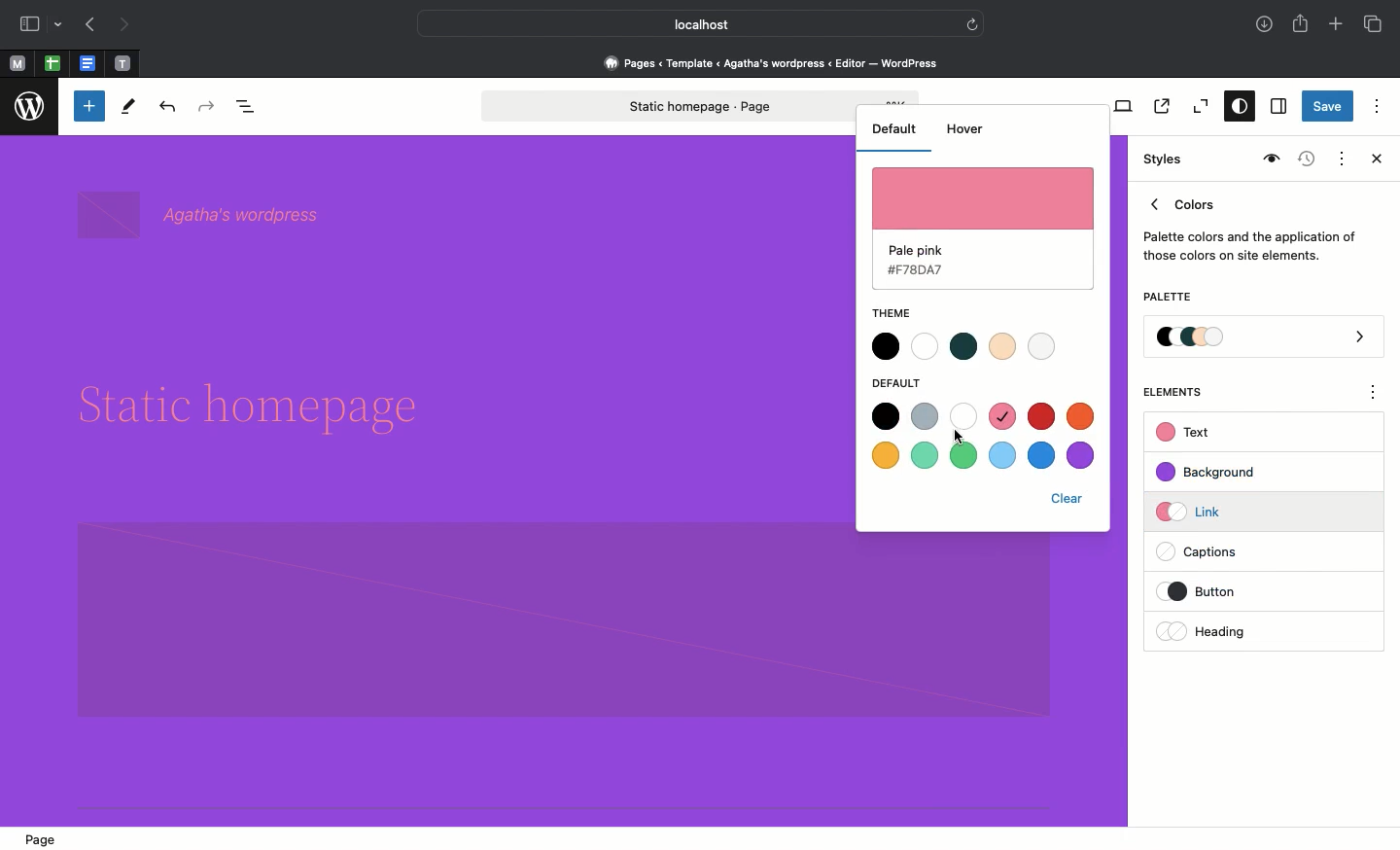 This screenshot has width=1400, height=850. I want to click on Styles, so click(1165, 159).